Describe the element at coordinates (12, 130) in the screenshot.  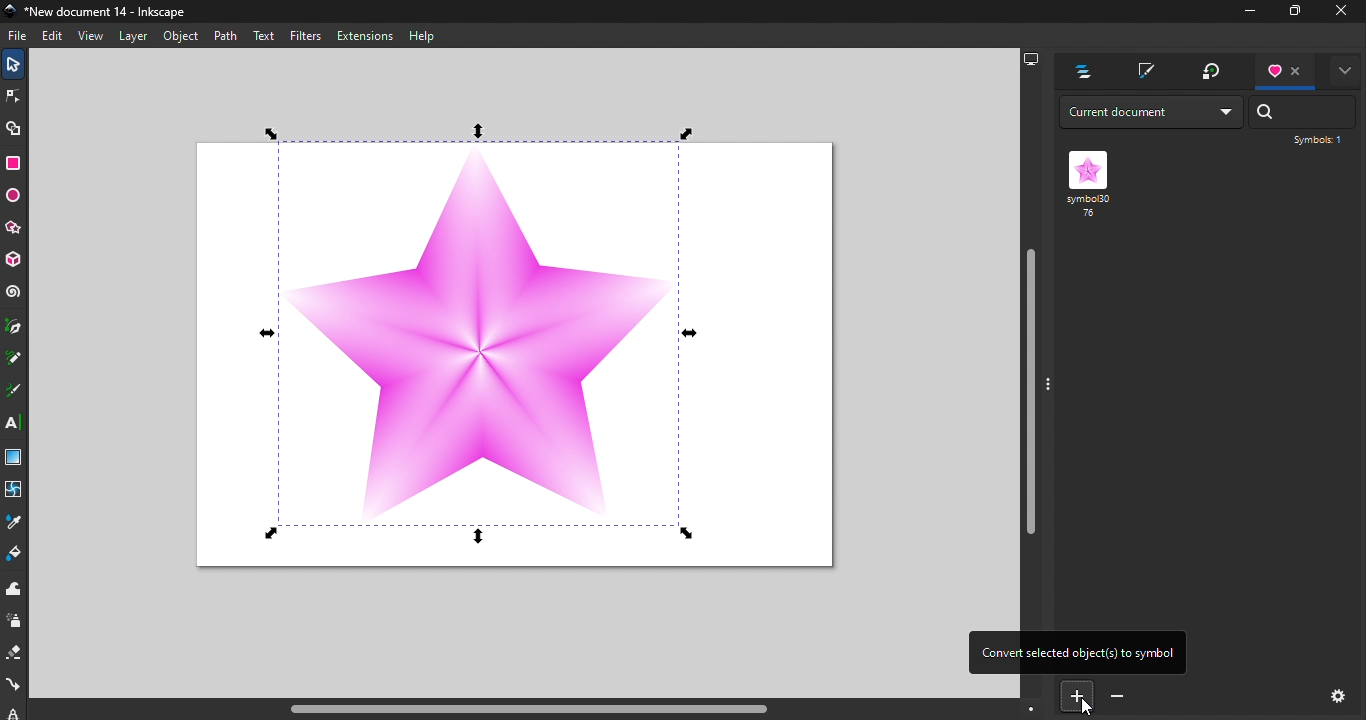
I see `Shape builder tool` at that location.